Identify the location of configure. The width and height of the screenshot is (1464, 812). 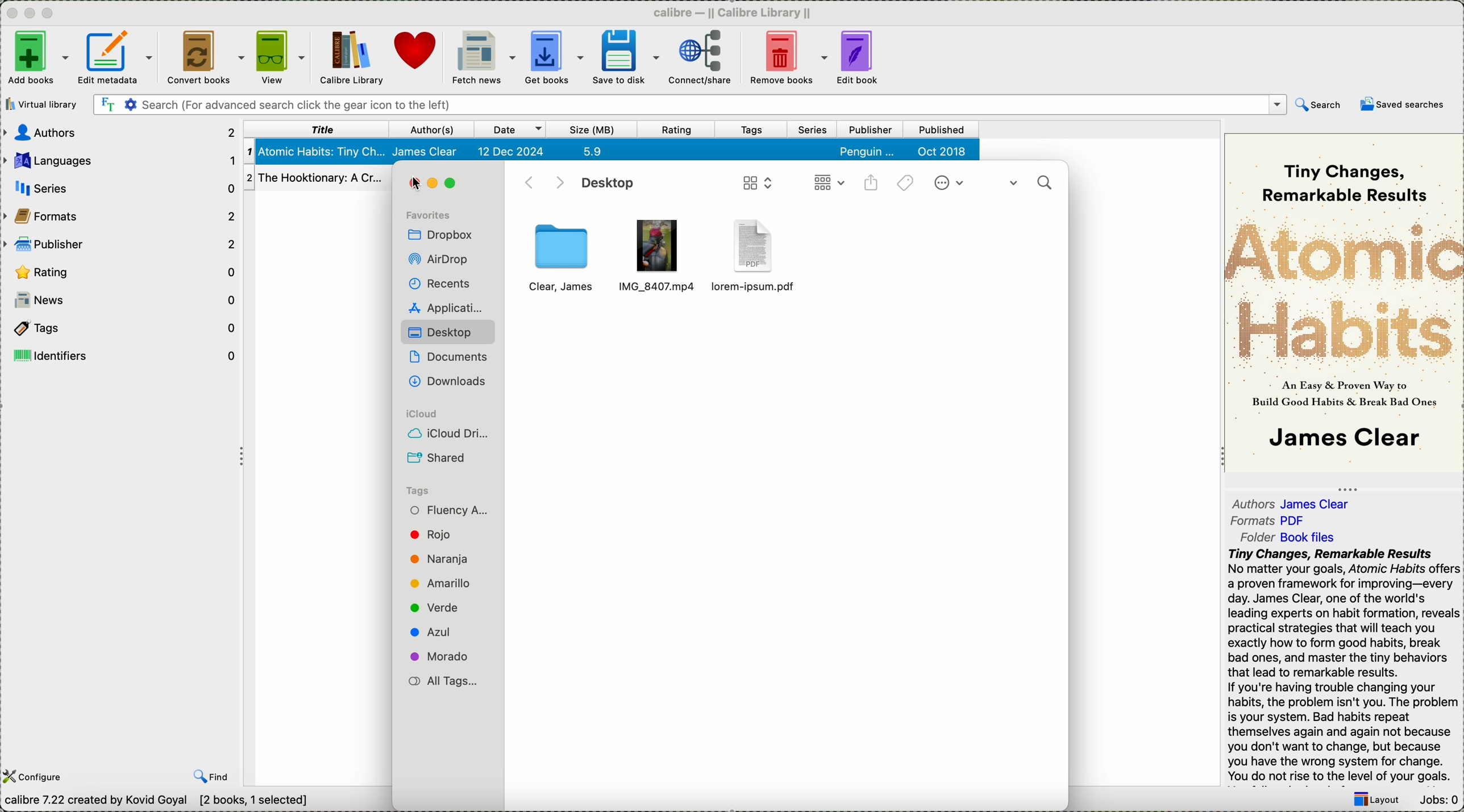
(36, 776).